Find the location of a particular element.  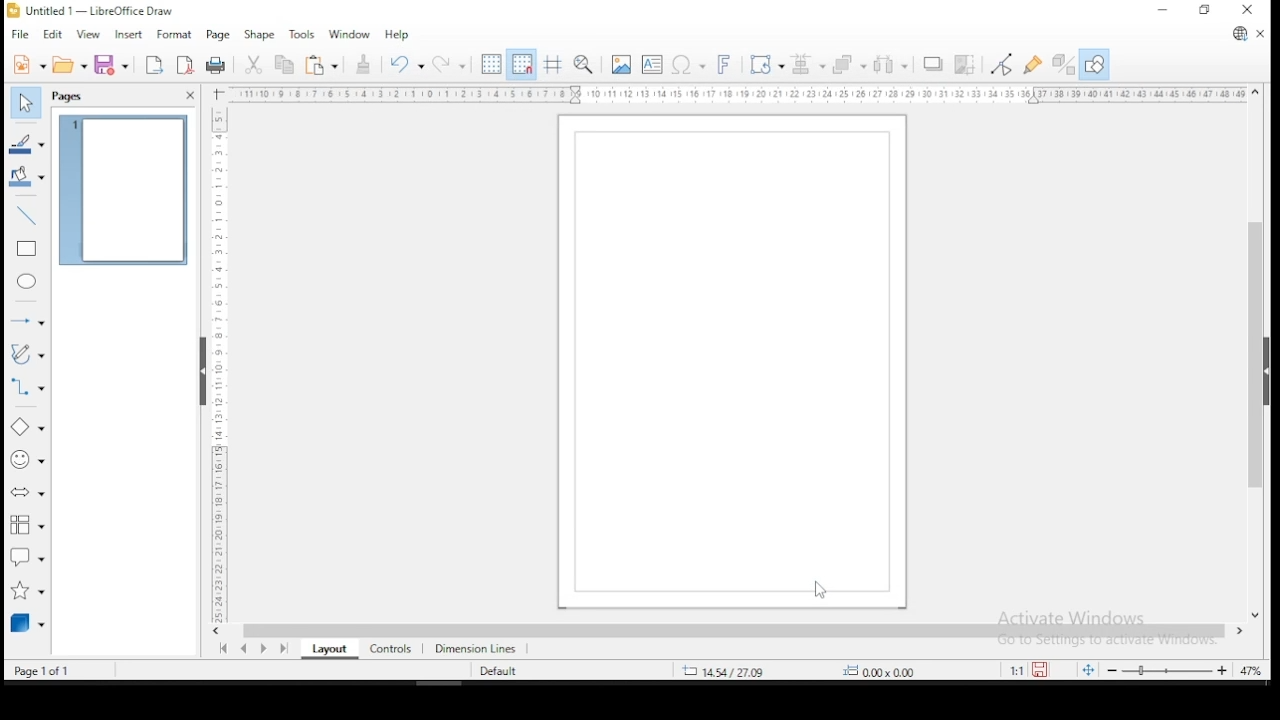

show draw functions is located at coordinates (1093, 65).